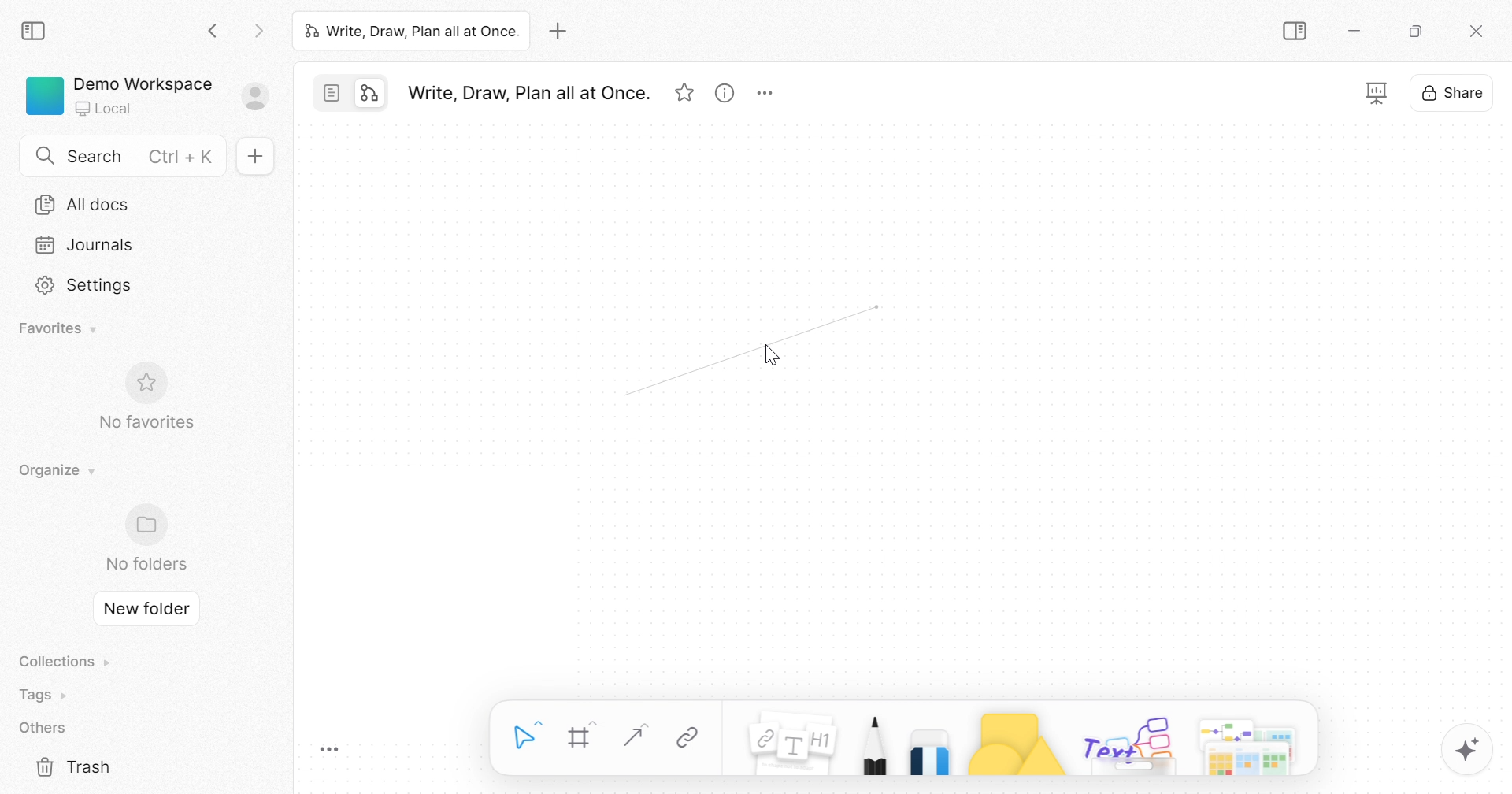 The image size is (1512, 794). I want to click on Sign in, so click(264, 98).